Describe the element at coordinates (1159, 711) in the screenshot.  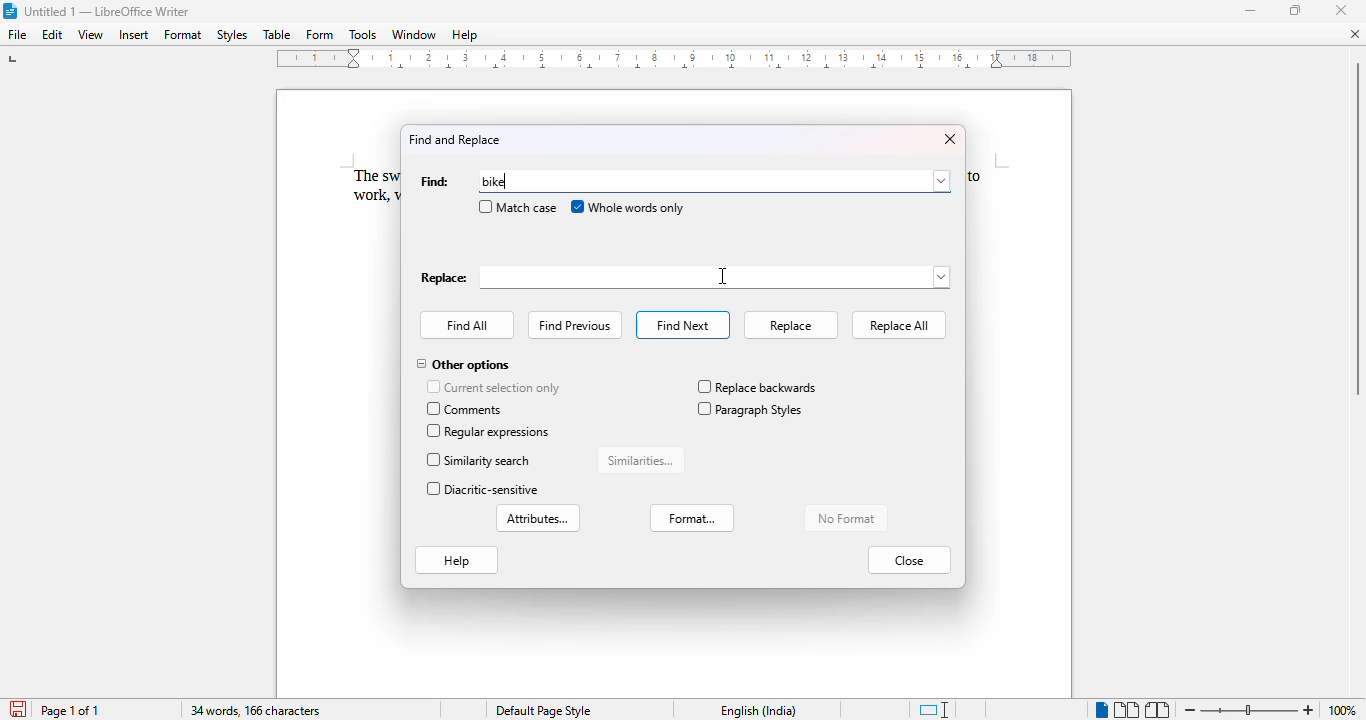
I see `book view` at that location.